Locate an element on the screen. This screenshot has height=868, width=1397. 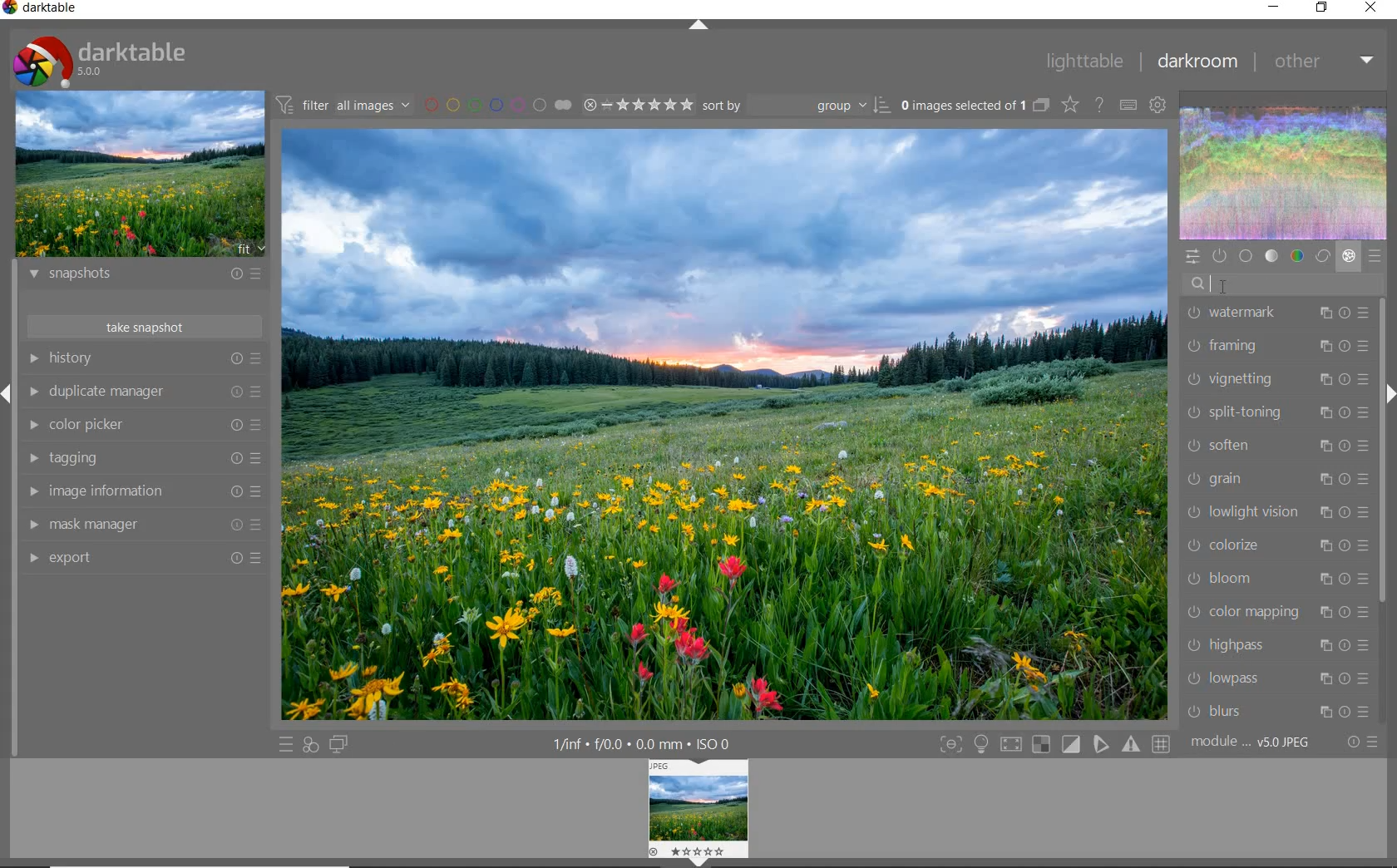
split-toning is located at coordinates (1276, 413).